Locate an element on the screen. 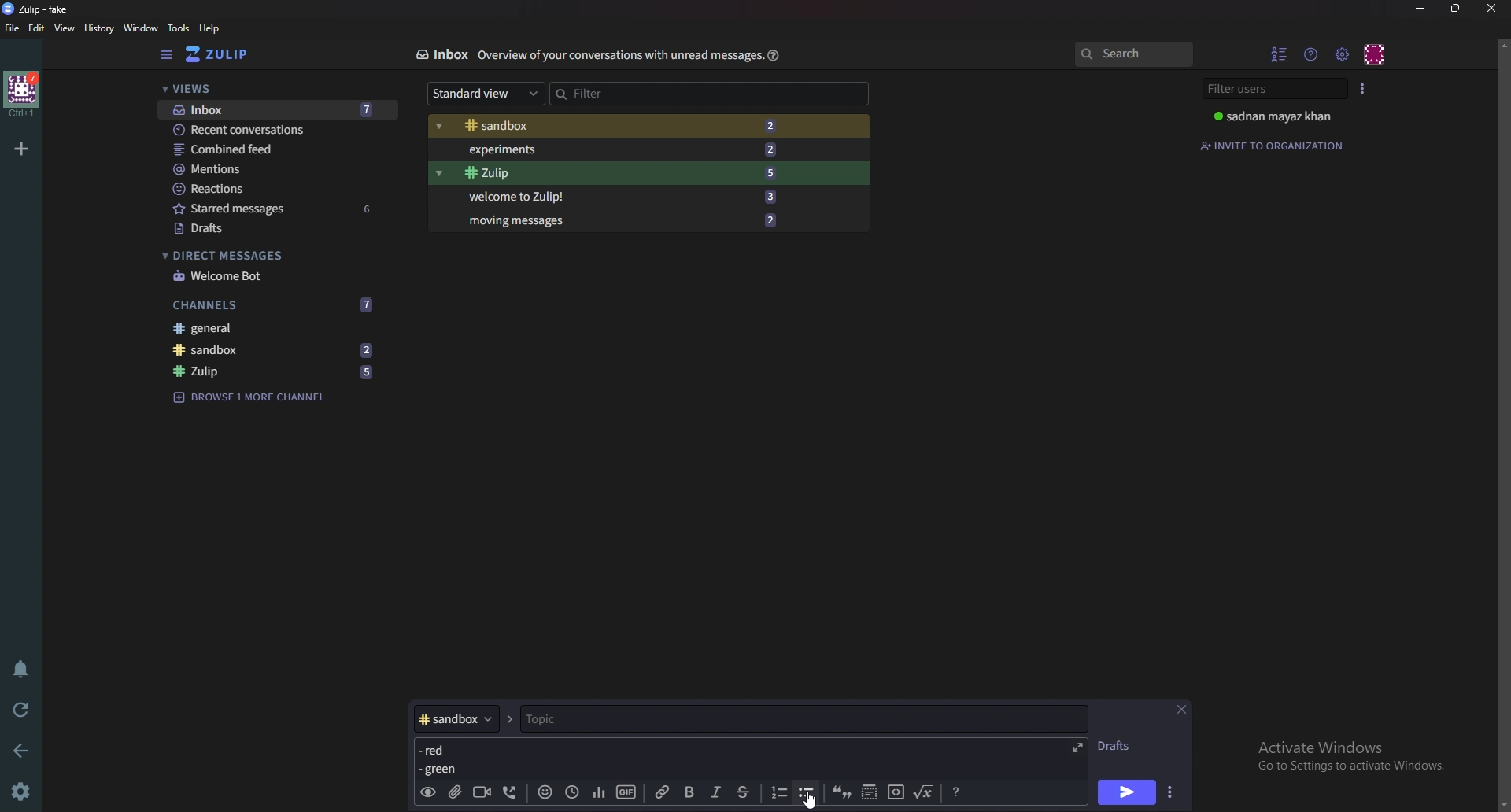 This screenshot has height=812, width=1511. Close message is located at coordinates (1180, 710).